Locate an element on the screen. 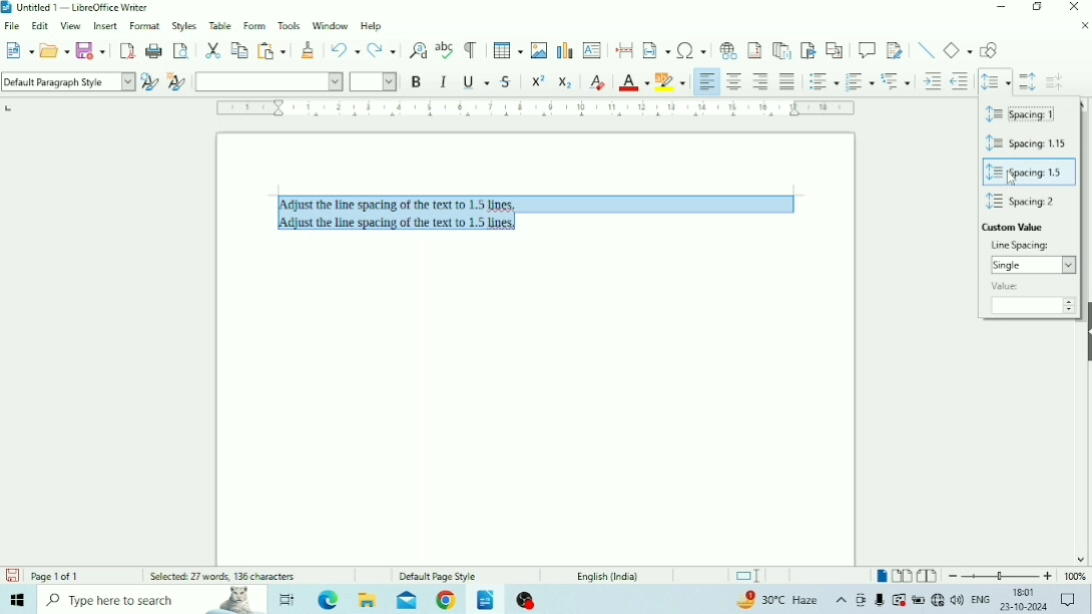 This screenshot has width=1092, height=614. Insert Hyperlink is located at coordinates (728, 49).